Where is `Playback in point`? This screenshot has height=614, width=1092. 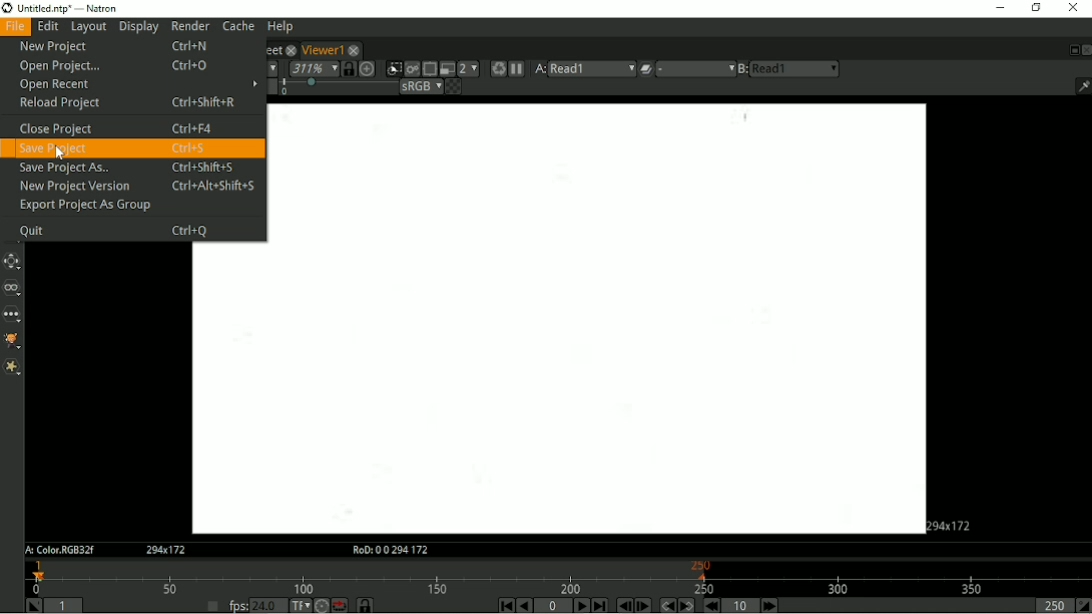
Playback in point is located at coordinates (63, 606).